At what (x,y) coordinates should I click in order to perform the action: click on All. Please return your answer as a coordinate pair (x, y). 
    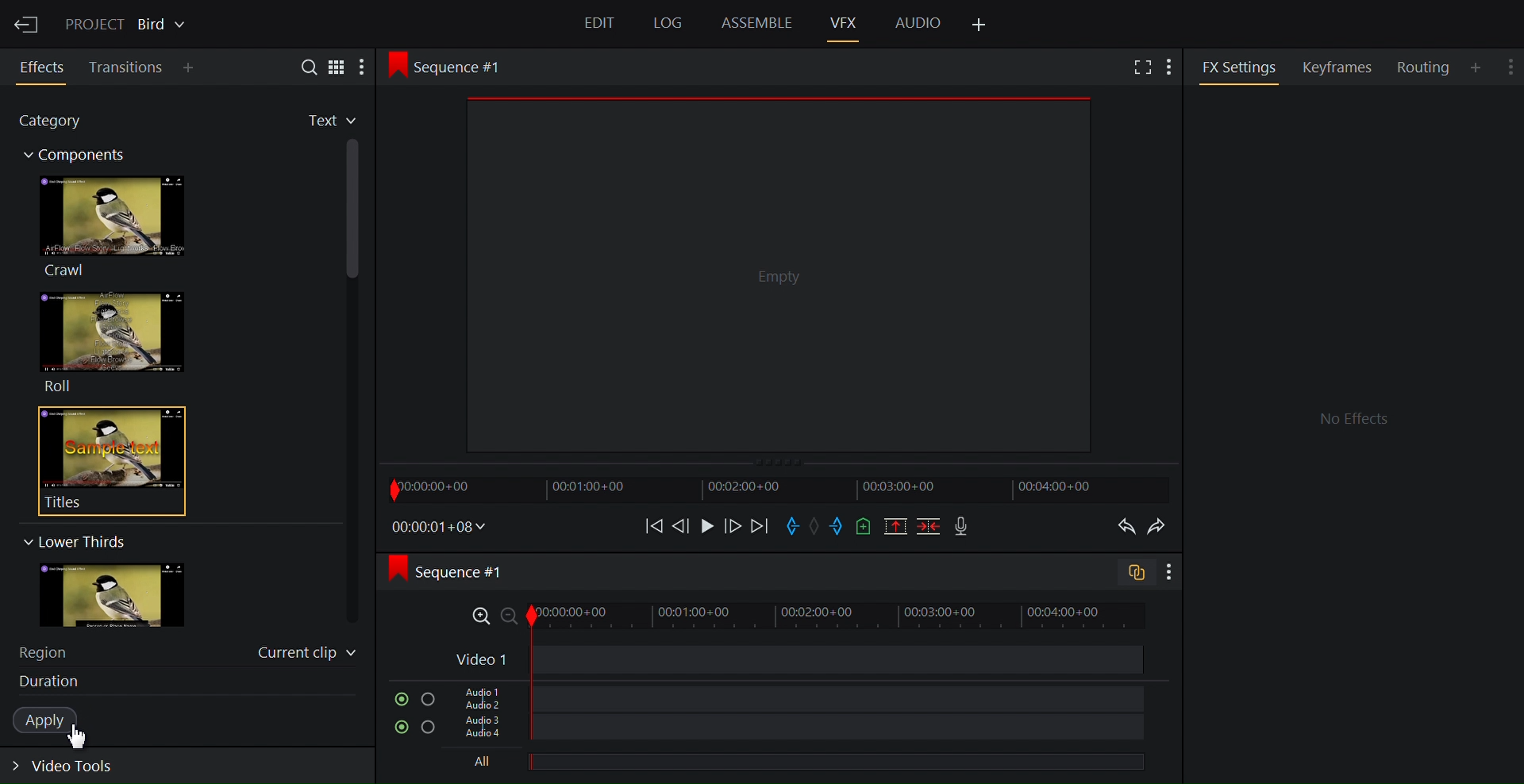
    Looking at the image, I should click on (790, 763).